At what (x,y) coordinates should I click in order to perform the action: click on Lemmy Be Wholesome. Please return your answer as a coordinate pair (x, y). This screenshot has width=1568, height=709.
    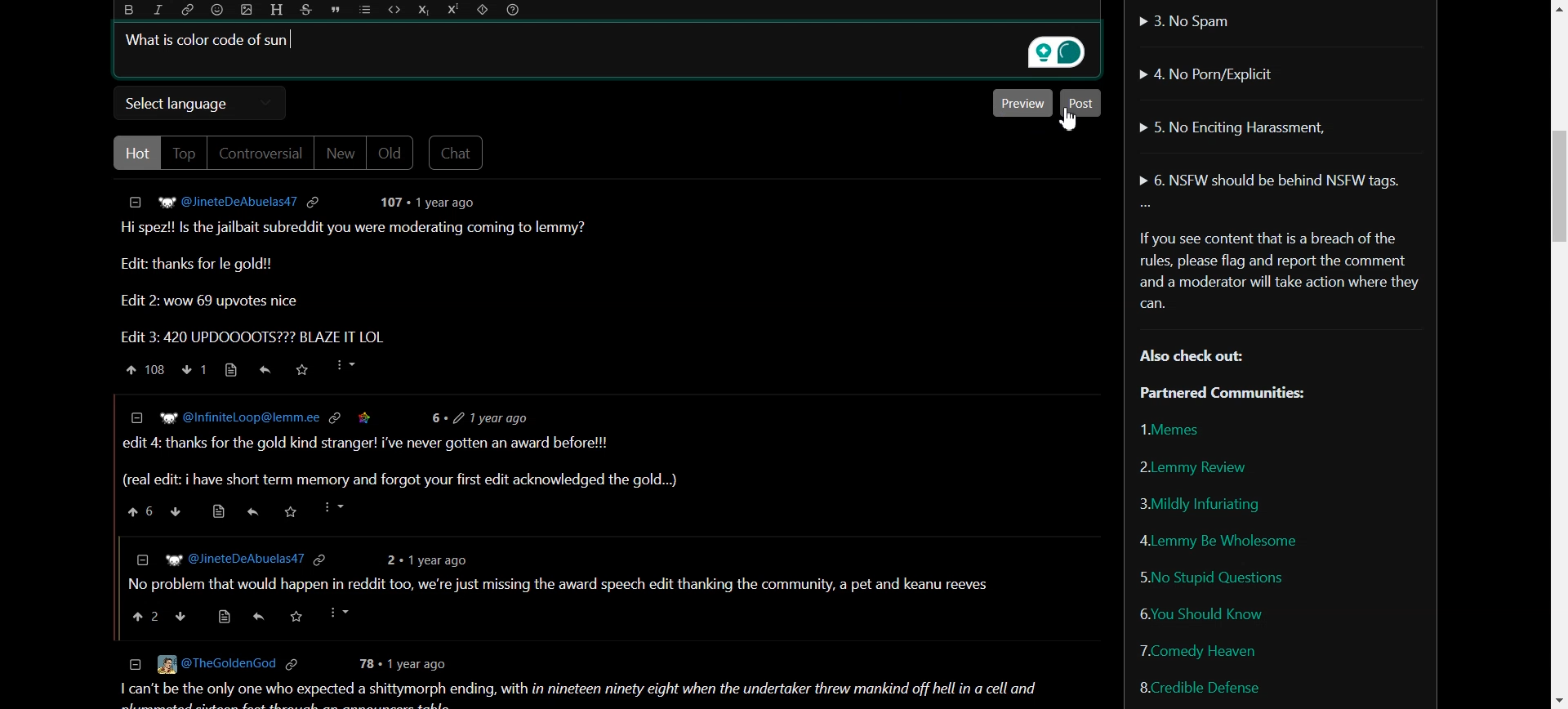
    Looking at the image, I should click on (1218, 540).